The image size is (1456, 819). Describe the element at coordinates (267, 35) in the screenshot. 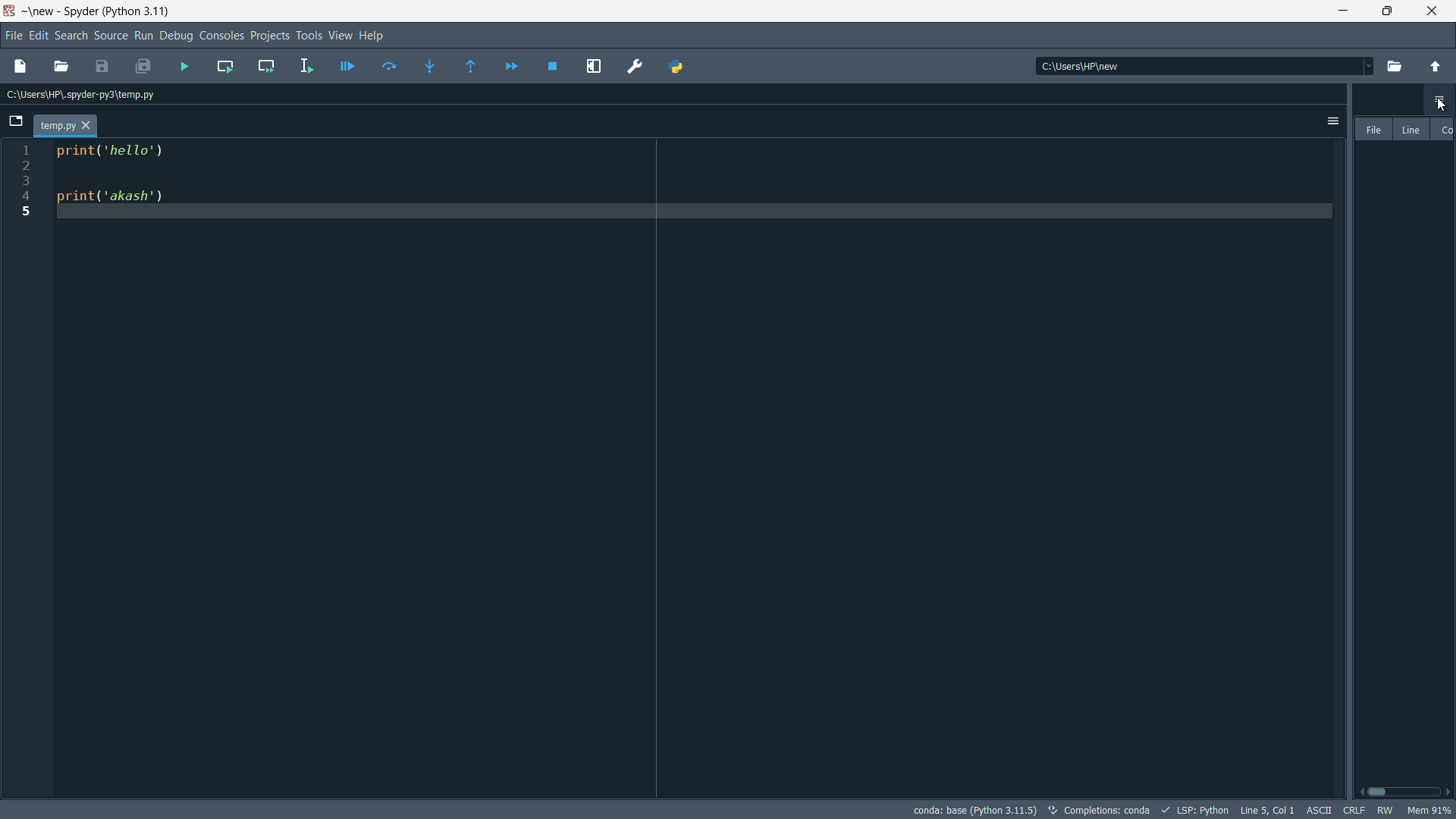

I see `Project Menu` at that location.